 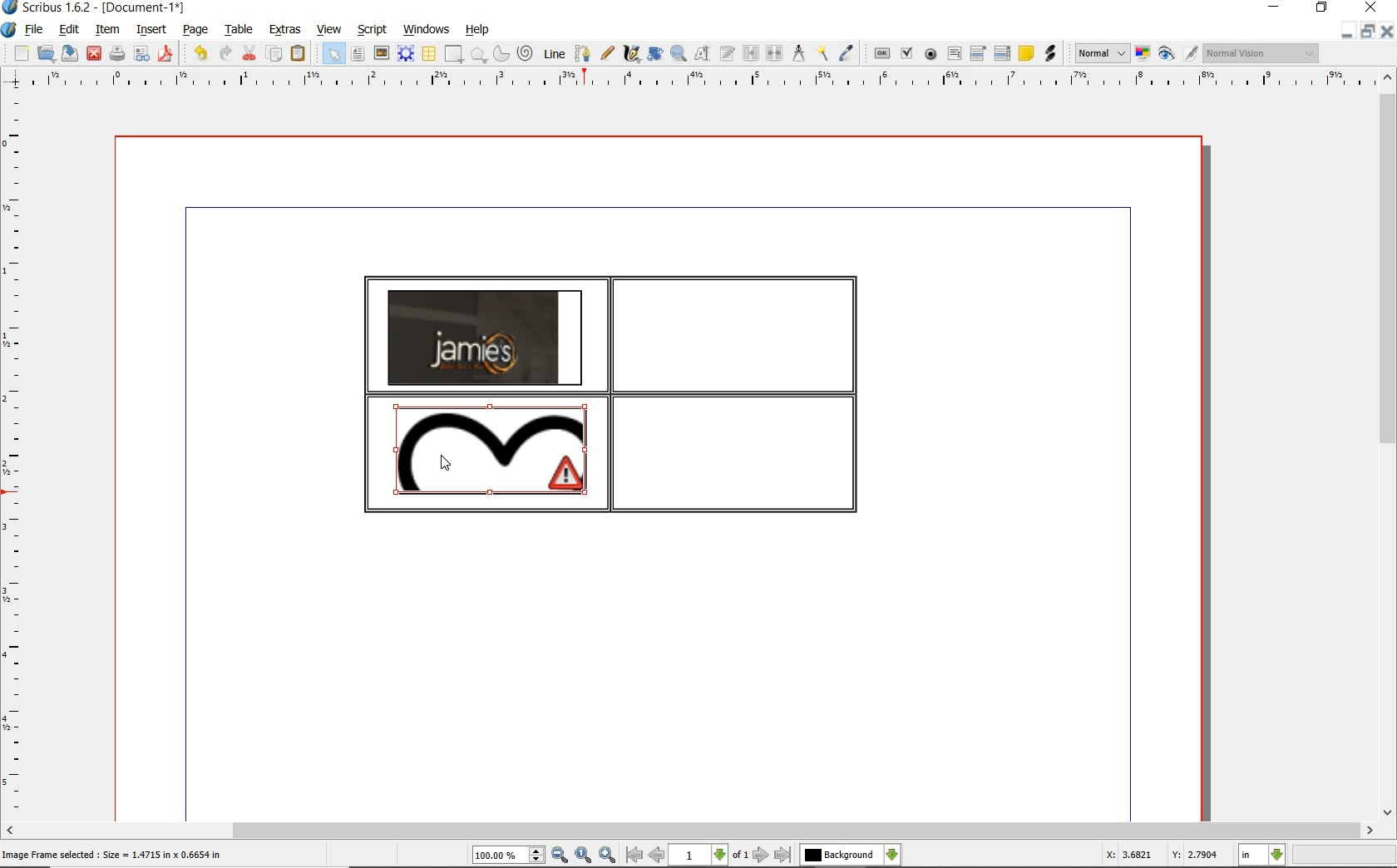 What do you see at coordinates (609, 54) in the screenshot?
I see `freehand line` at bounding box center [609, 54].